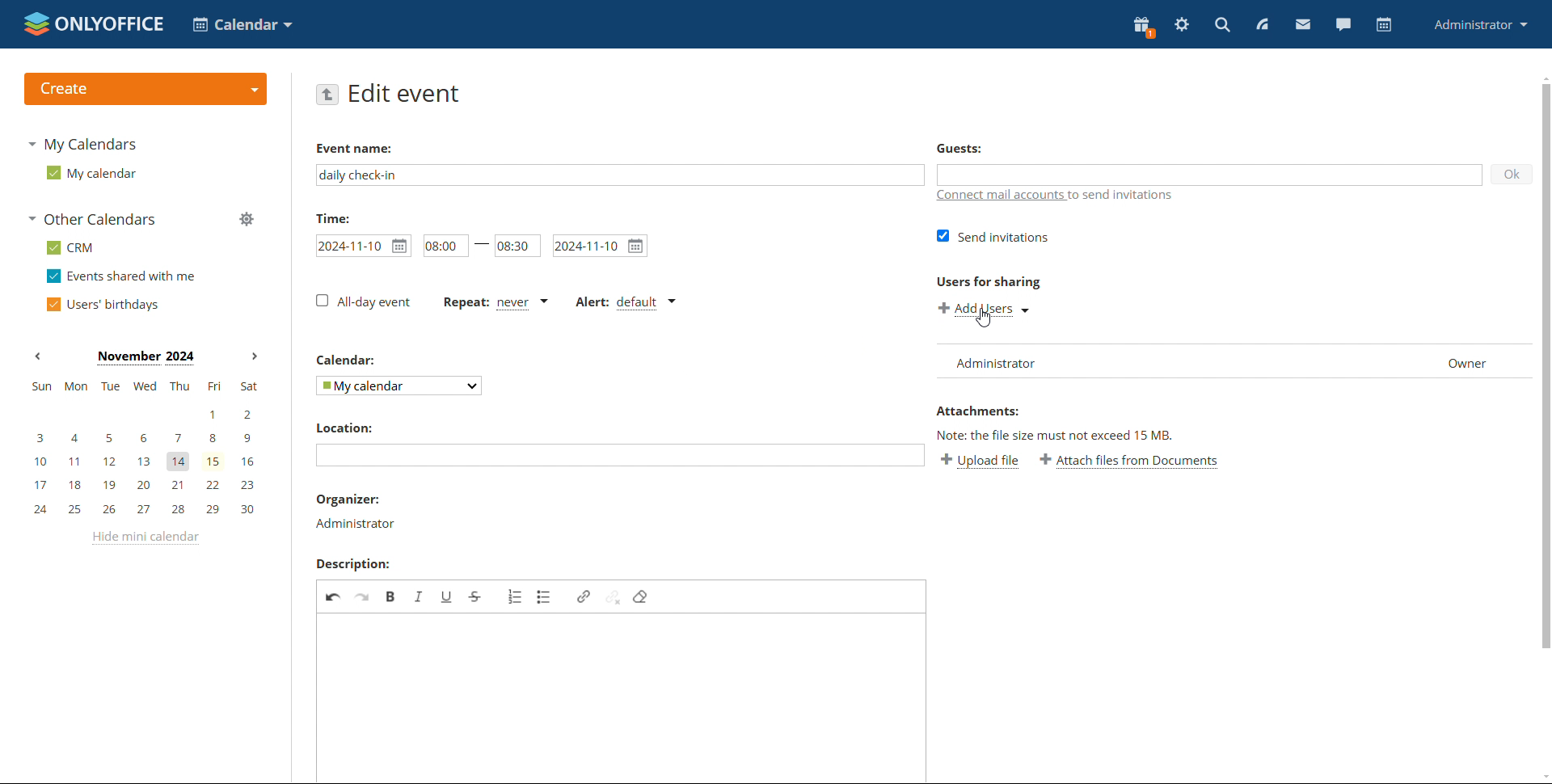 The width and height of the screenshot is (1552, 784). I want to click on calendar:, so click(349, 361).